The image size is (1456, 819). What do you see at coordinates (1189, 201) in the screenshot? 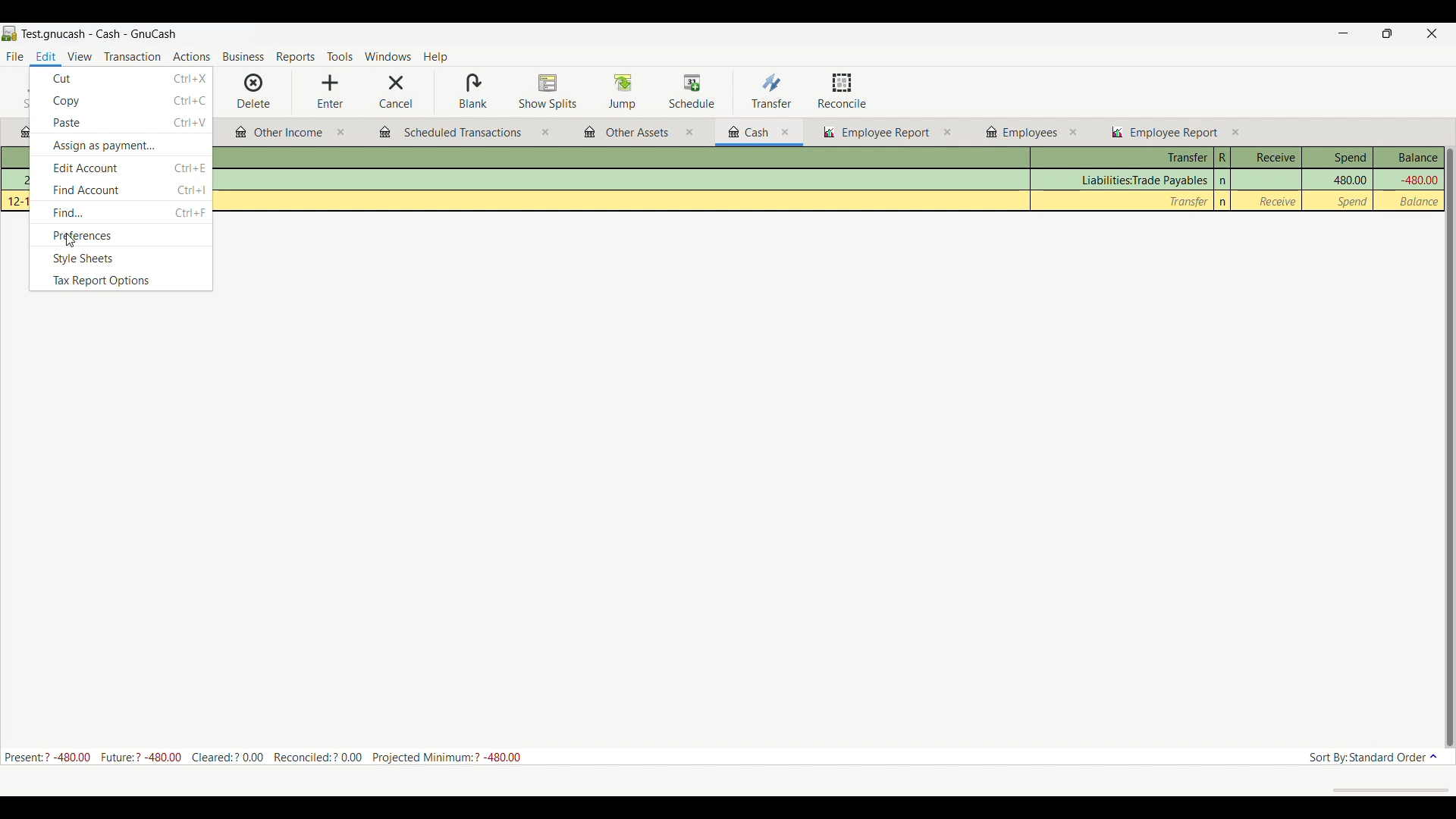
I see `Transfer column` at bounding box center [1189, 201].